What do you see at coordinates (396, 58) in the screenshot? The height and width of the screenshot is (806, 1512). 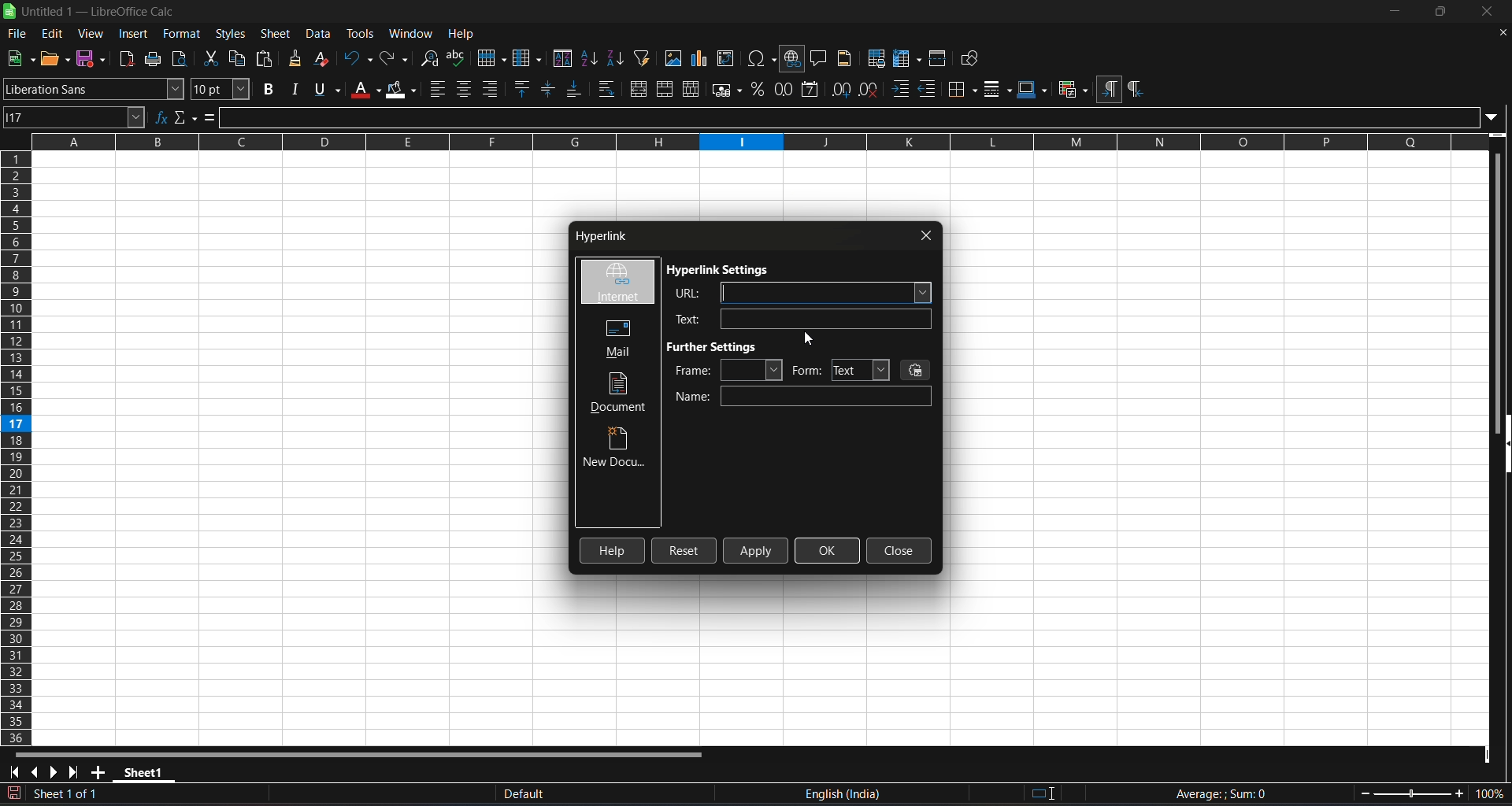 I see `redo` at bounding box center [396, 58].